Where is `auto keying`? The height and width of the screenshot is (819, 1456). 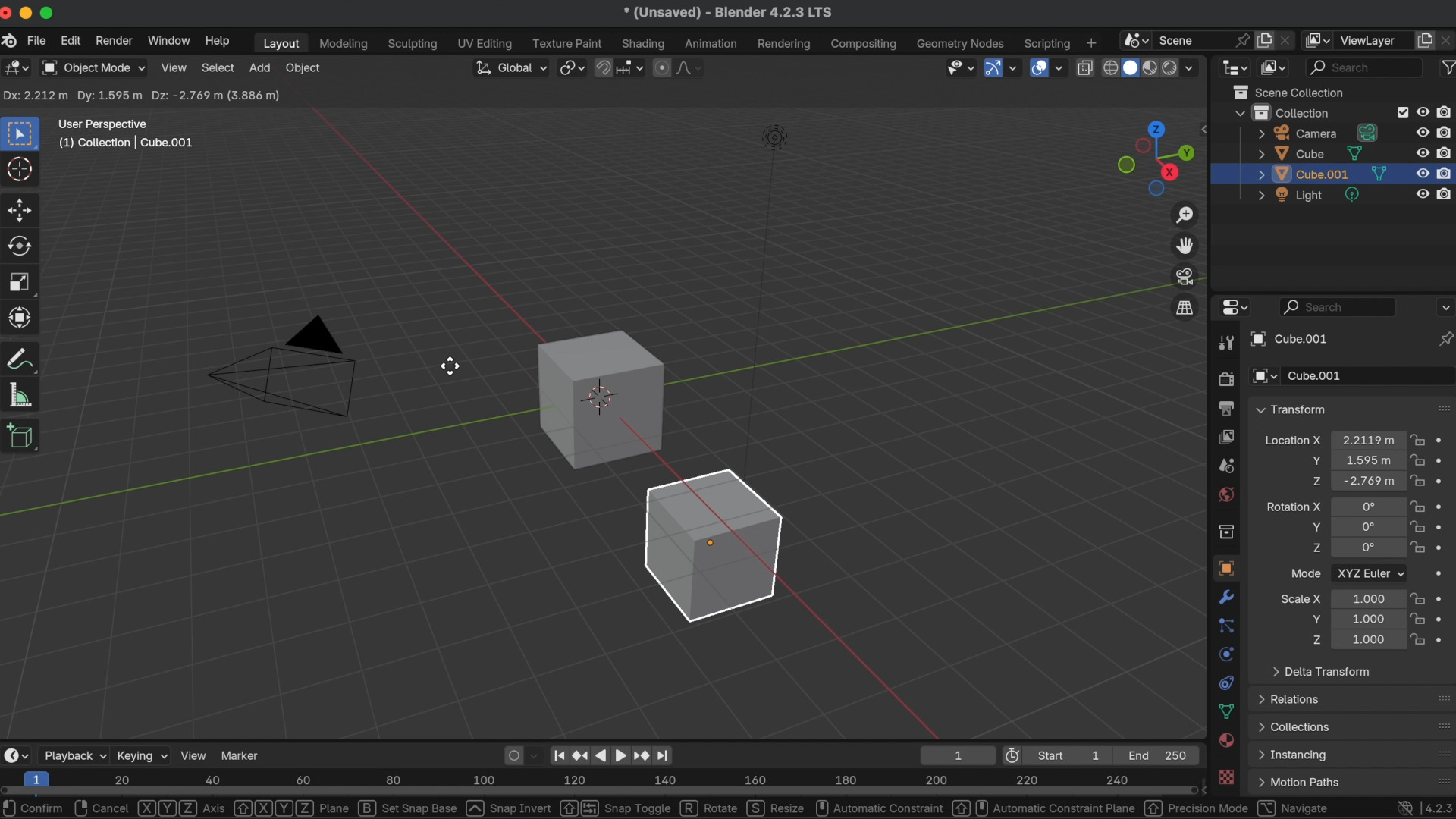
auto keying is located at coordinates (511, 754).